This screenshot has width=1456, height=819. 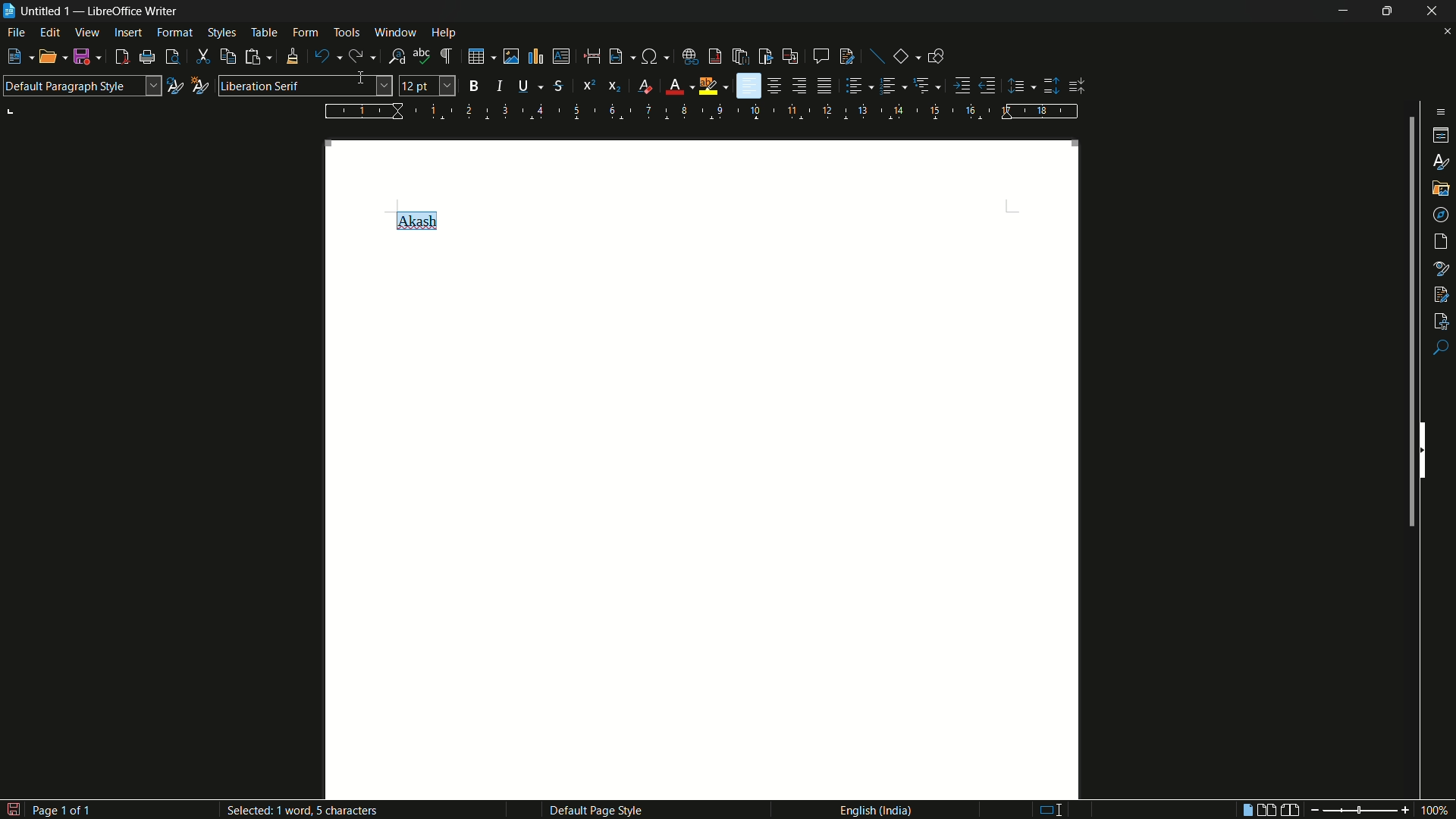 I want to click on book view, so click(x=1291, y=811).